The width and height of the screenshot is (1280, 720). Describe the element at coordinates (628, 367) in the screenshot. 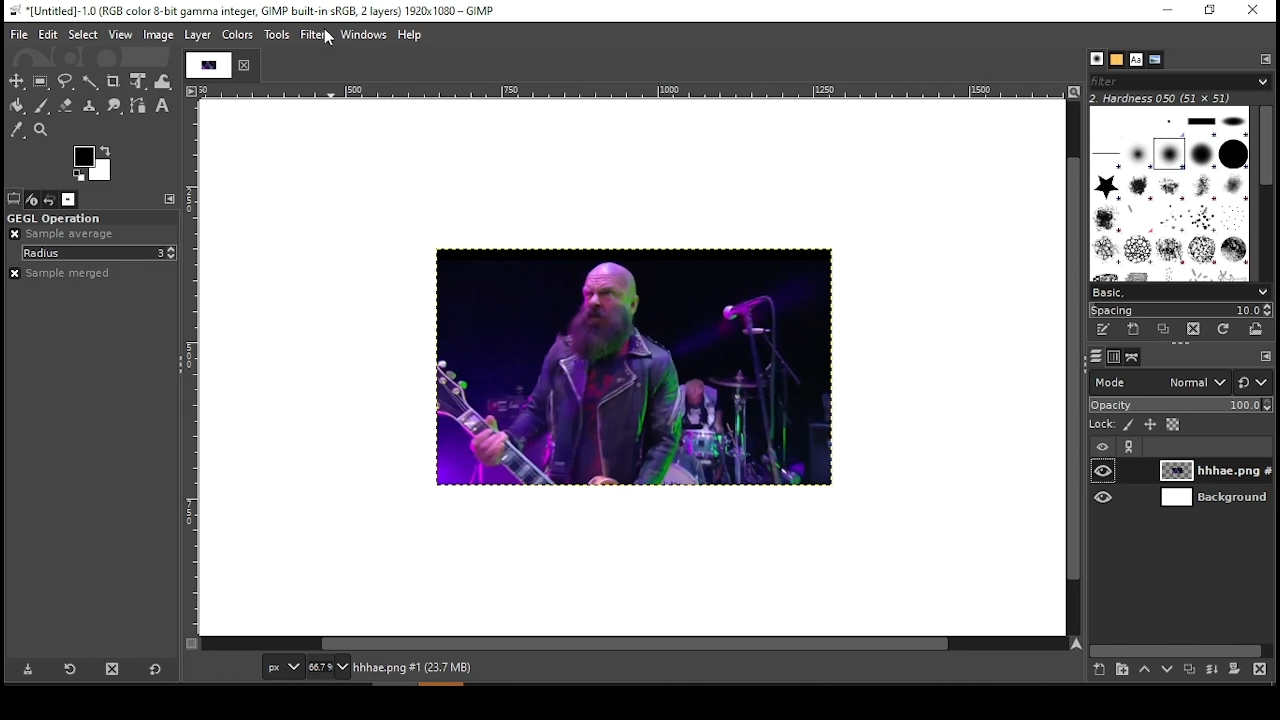

I see `image` at that location.